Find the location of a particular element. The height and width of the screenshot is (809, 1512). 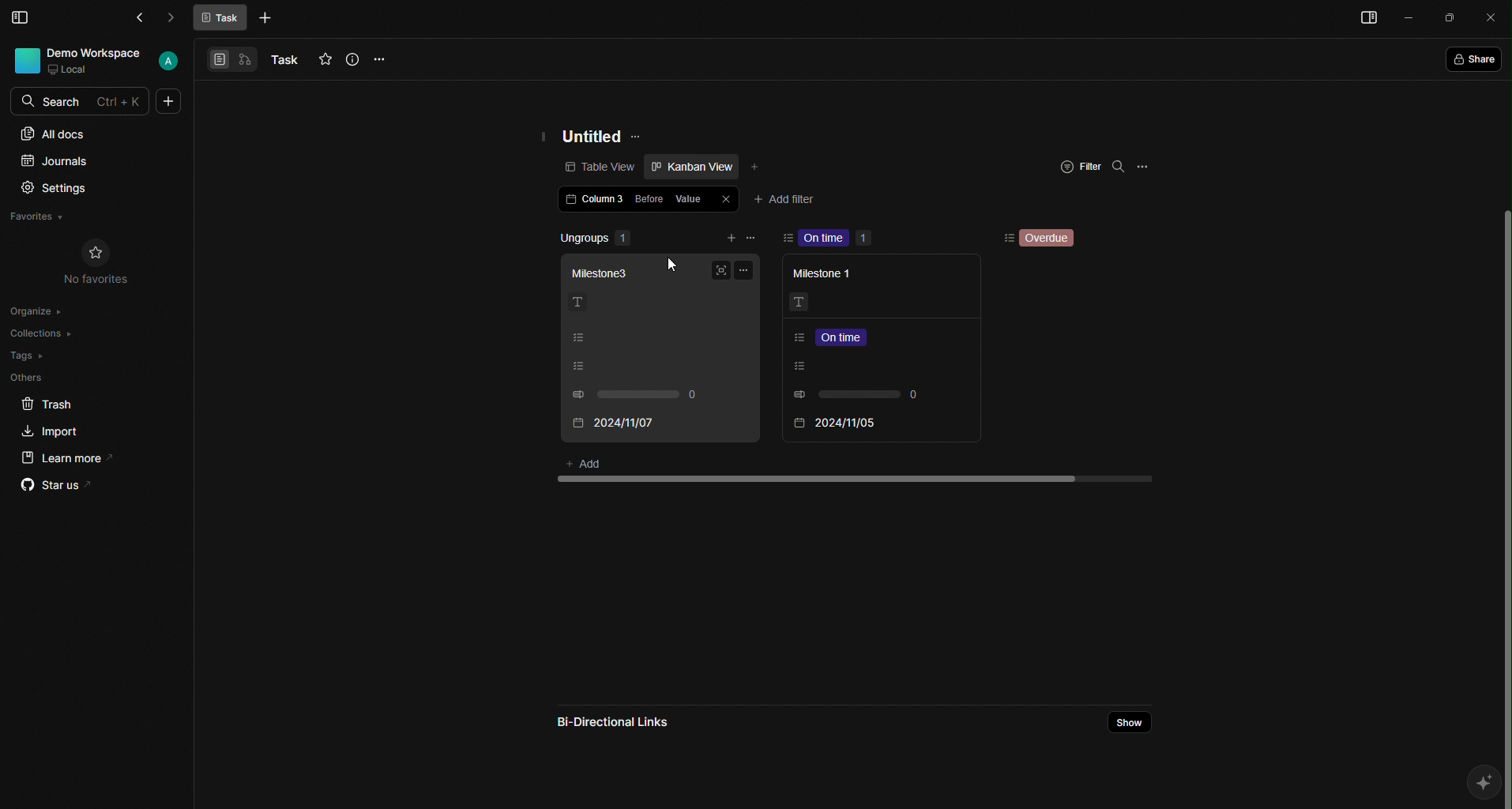

All docs is located at coordinates (54, 135).